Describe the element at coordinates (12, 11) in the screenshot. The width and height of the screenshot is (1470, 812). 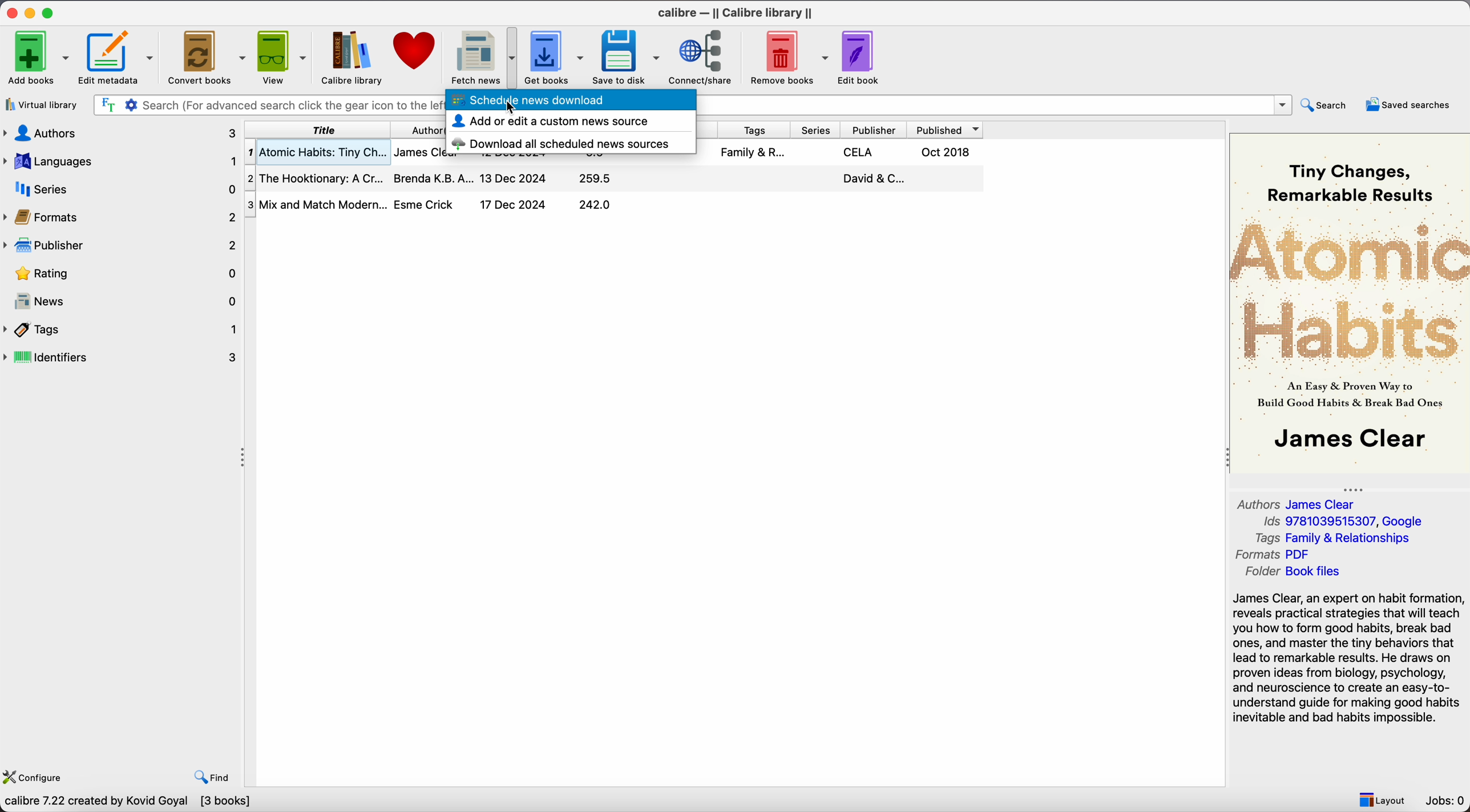
I see `close program` at that location.